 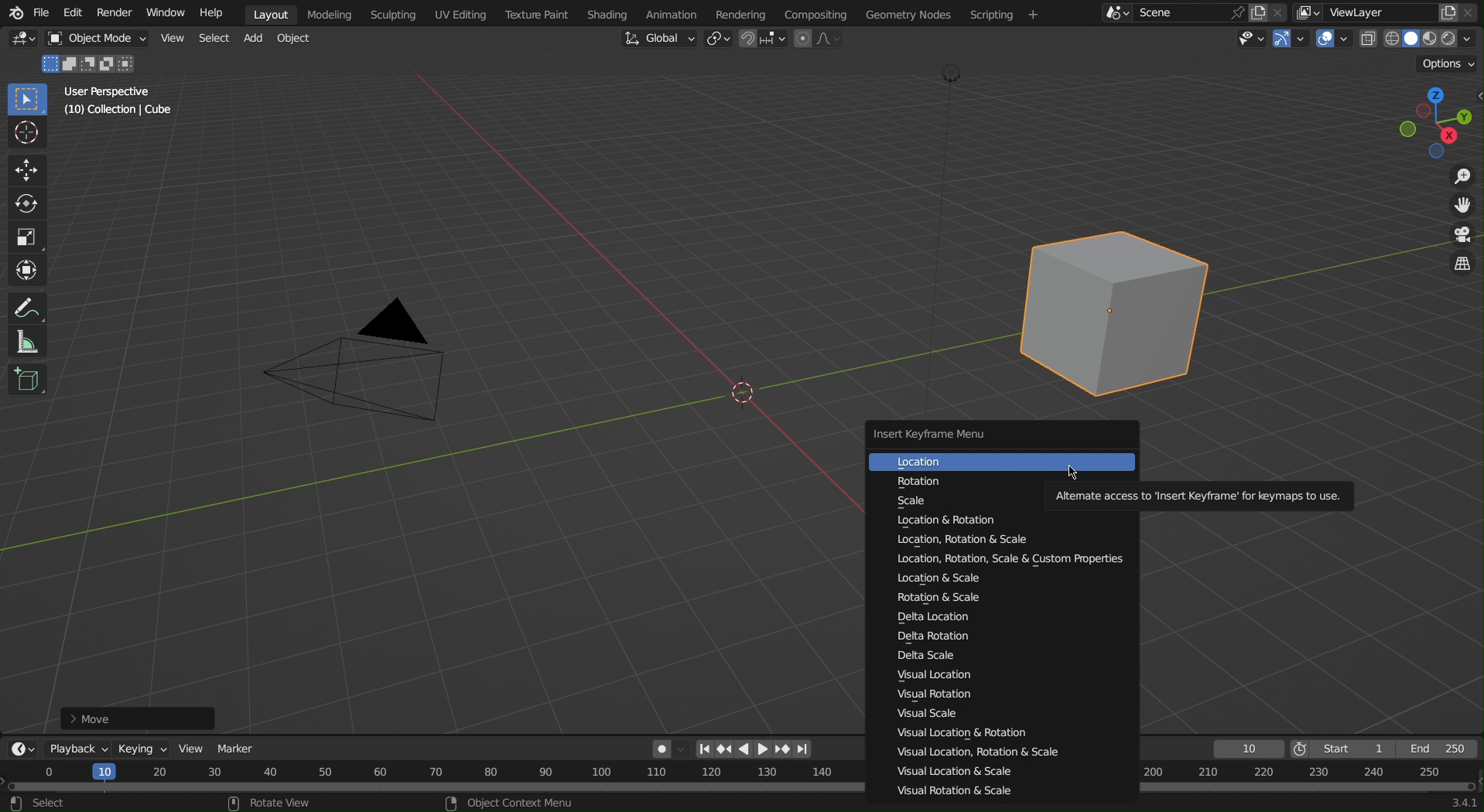 I want to click on Shading, so click(x=615, y=12).